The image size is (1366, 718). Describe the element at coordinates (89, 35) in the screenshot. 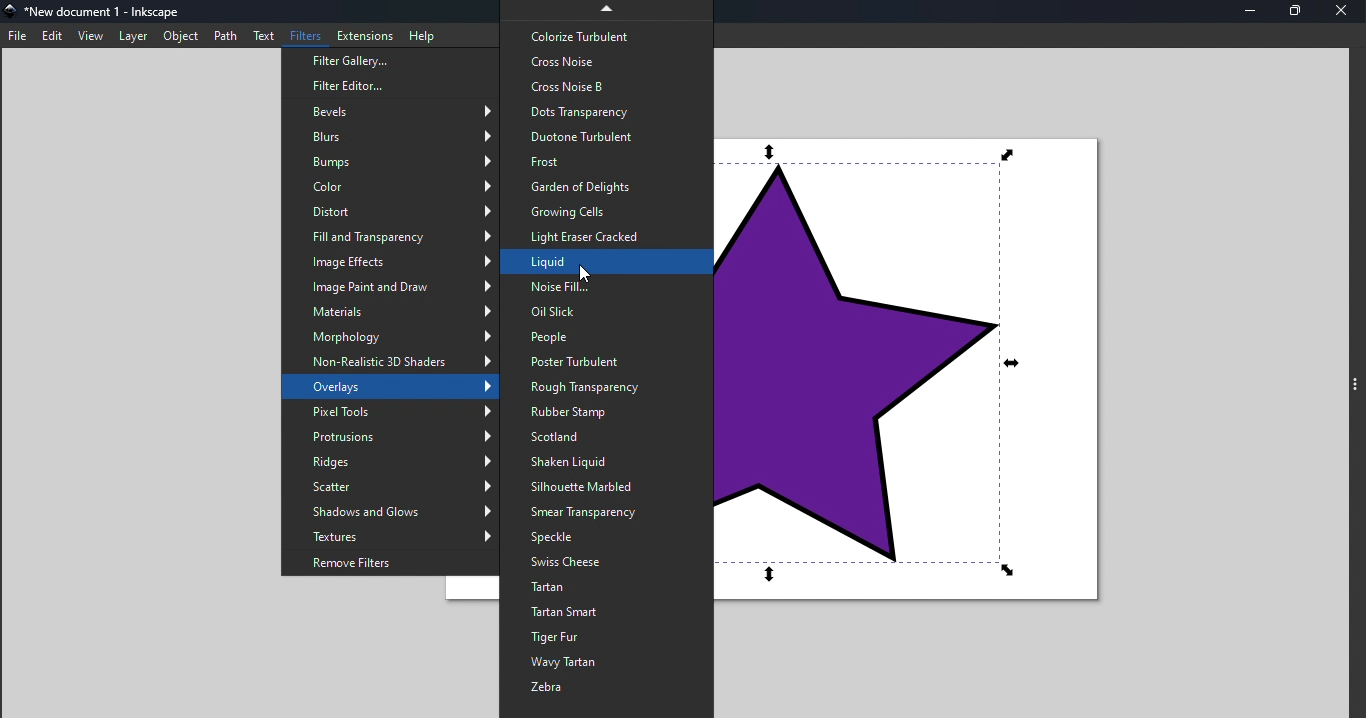

I see `View` at that location.